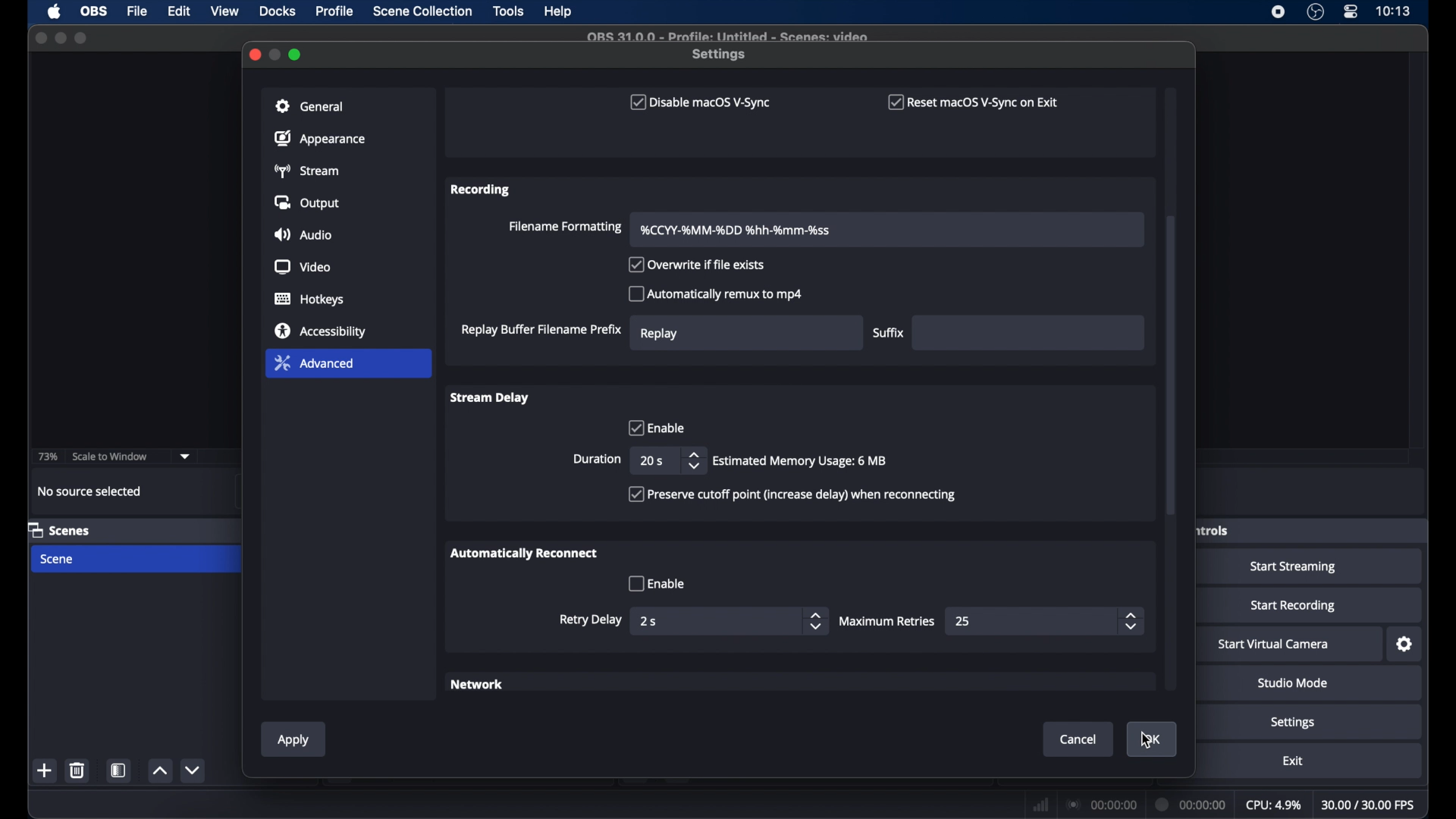  I want to click on disable macOS V-sync, so click(698, 102).